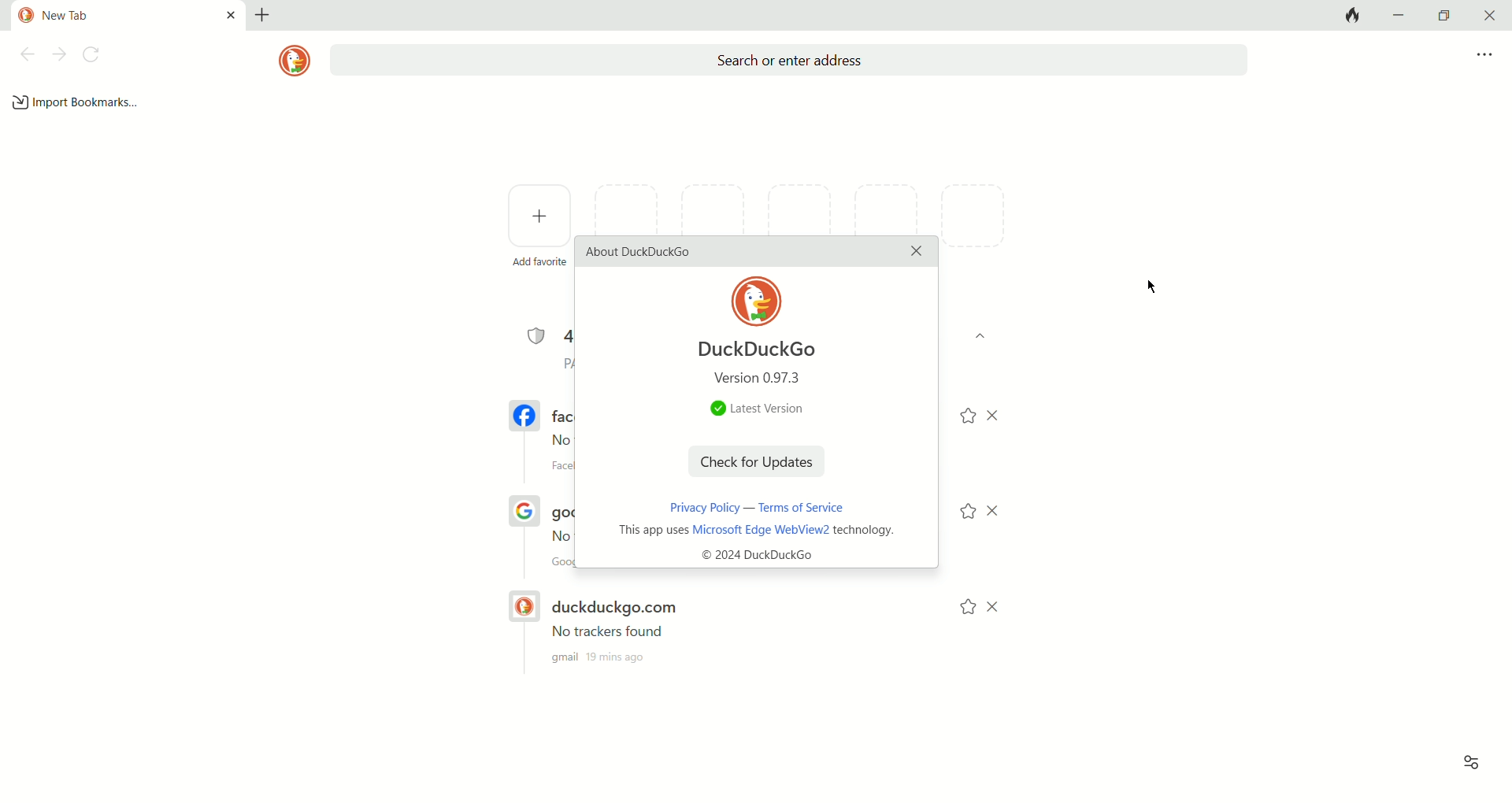  What do you see at coordinates (640, 251) in the screenshot?
I see `AboutDuckDuckGo` at bounding box center [640, 251].